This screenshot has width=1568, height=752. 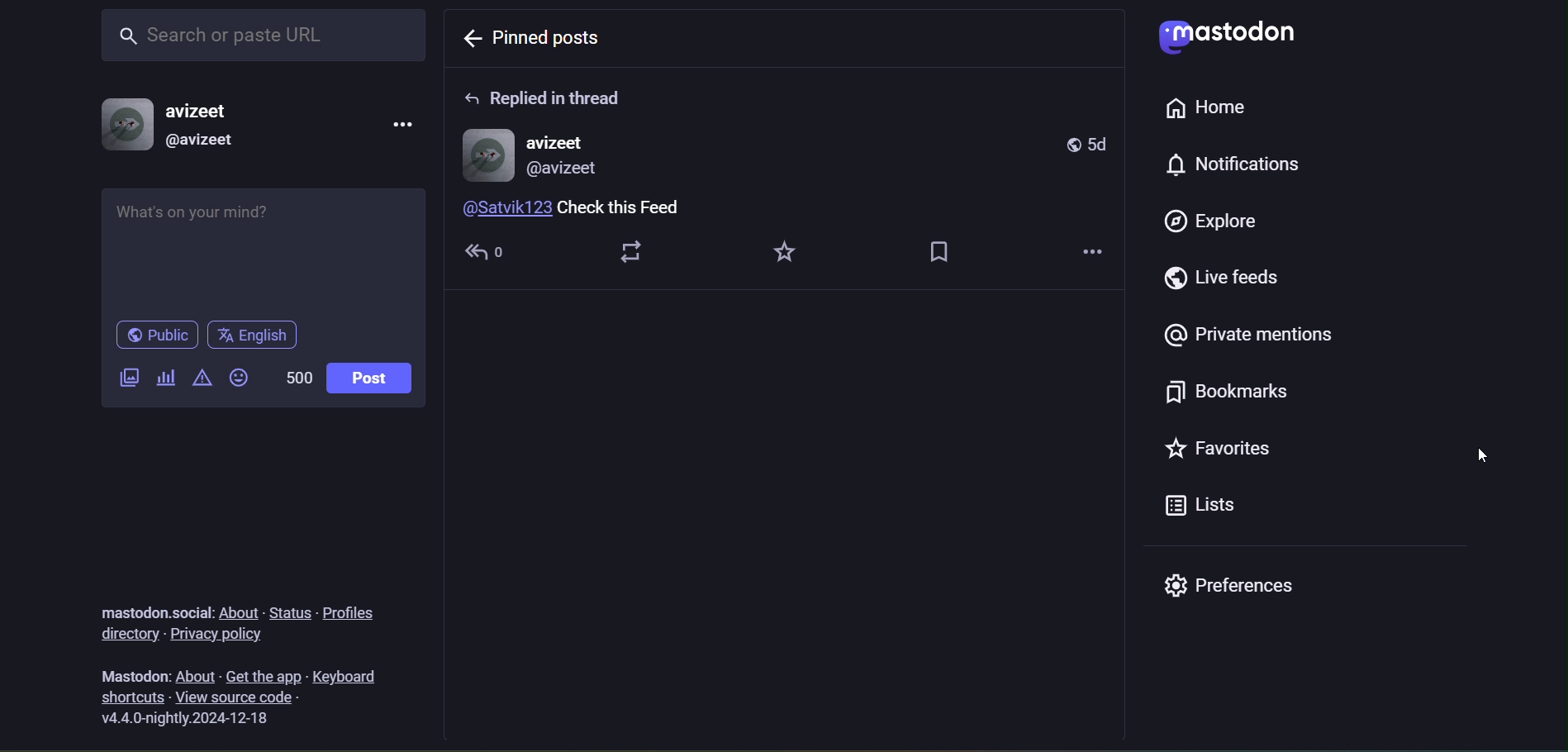 I want to click on logo, so click(x=1225, y=36).